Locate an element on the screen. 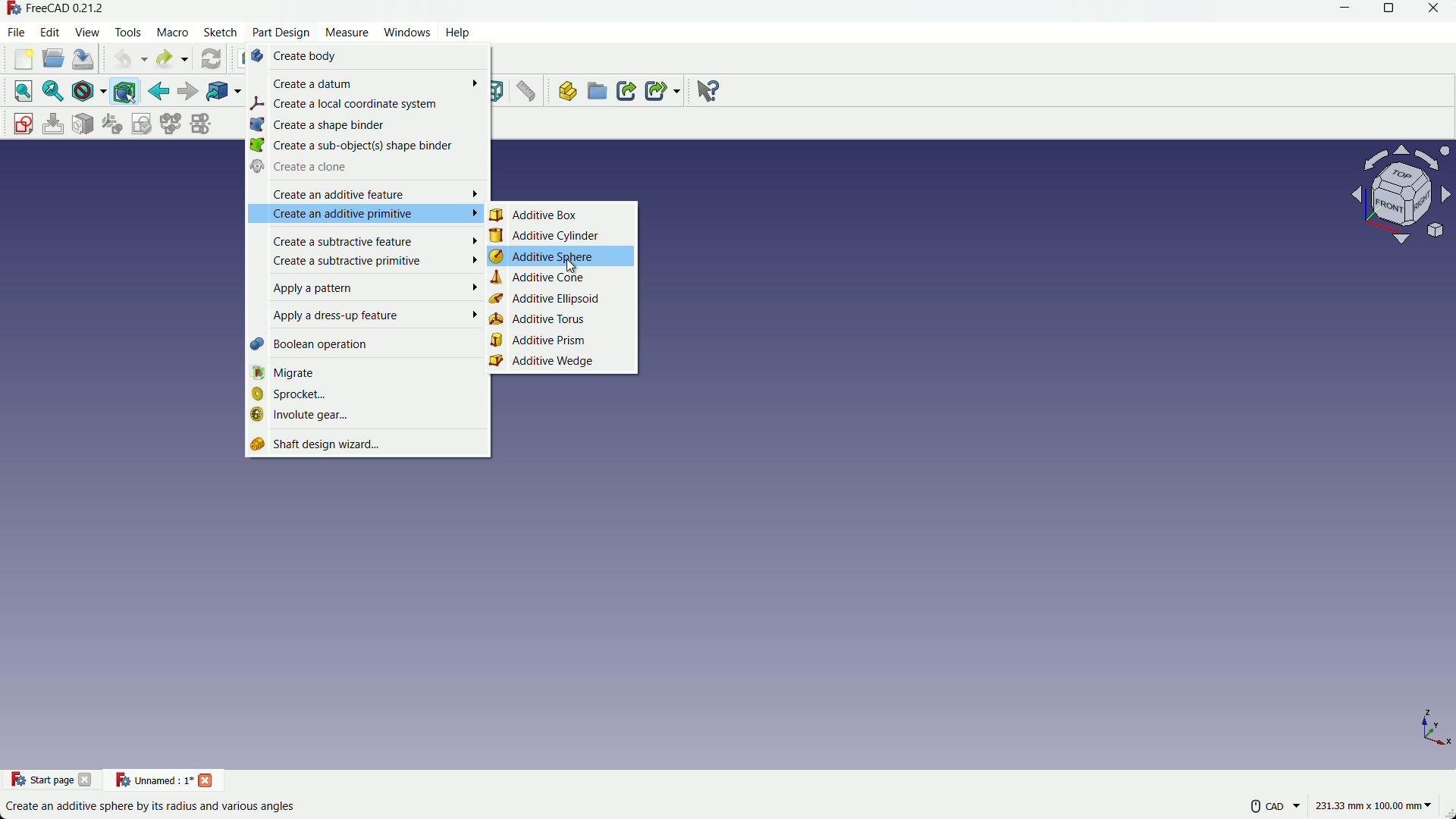 Image resolution: width=1456 pixels, height=819 pixels. fit selection is located at coordinates (55, 93).